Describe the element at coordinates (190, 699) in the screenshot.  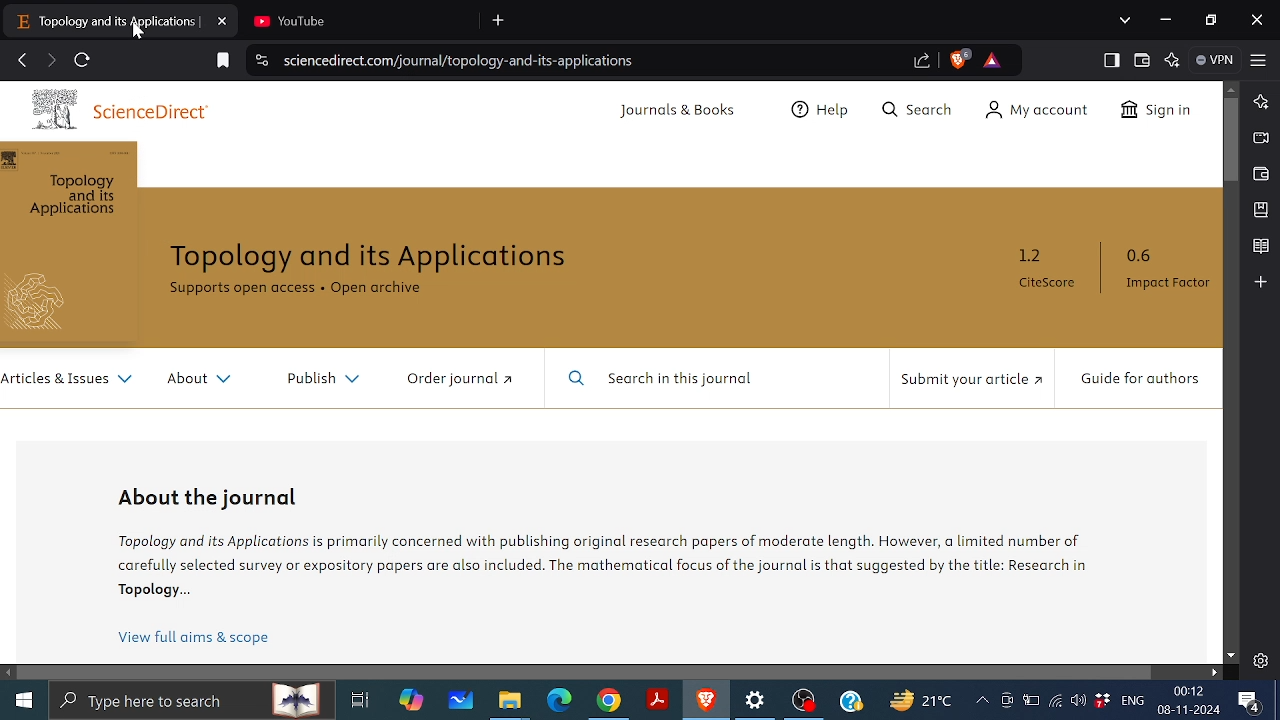
I see `Type here or search apps` at that location.